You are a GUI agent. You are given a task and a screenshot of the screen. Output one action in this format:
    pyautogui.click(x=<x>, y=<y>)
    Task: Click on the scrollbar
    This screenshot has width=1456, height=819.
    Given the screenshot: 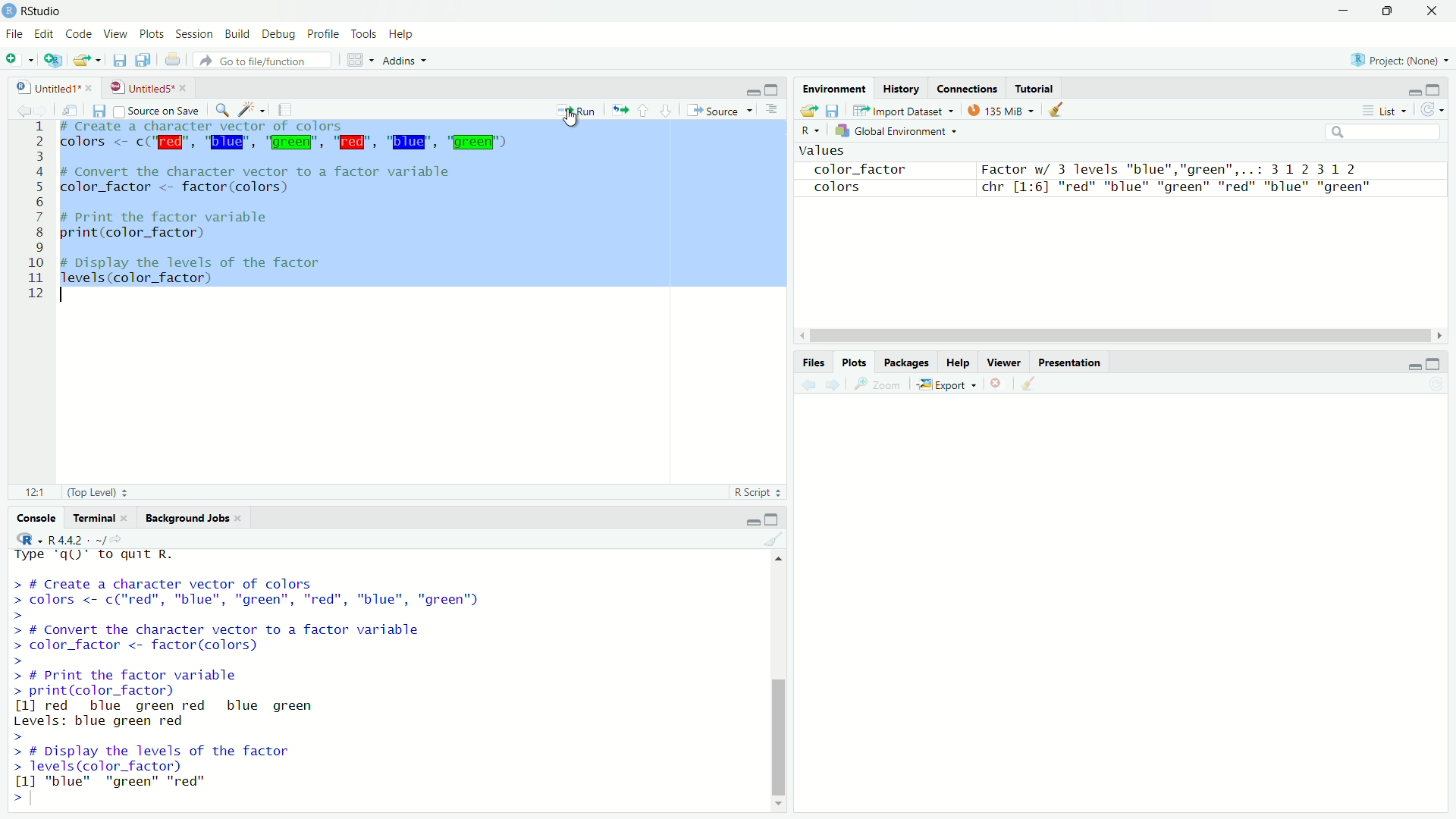 What is the action you would take?
    pyautogui.click(x=781, y=685)
    